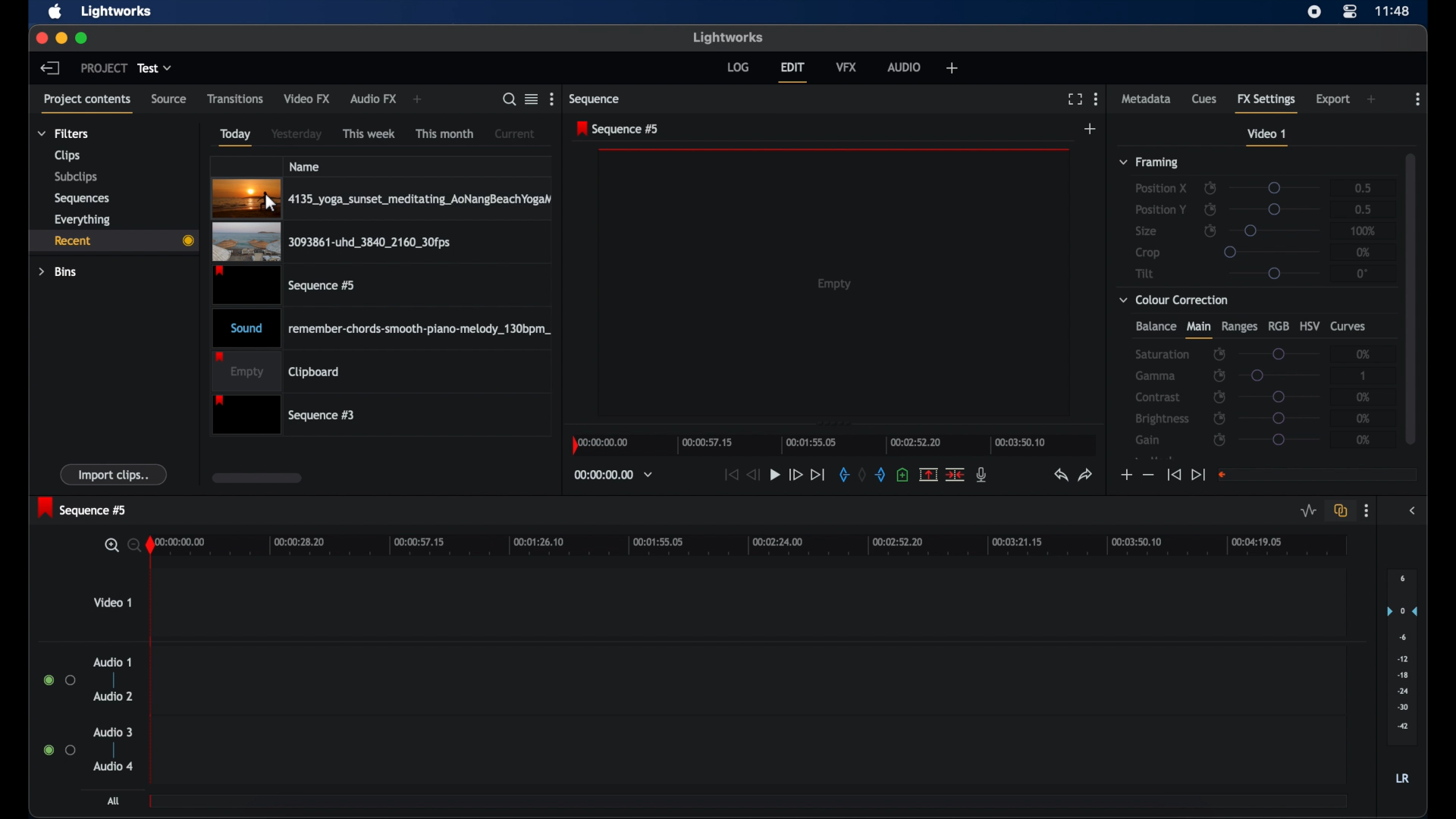 Image resolution: width=1456 pixels, height=819 pixels. What do you see at coordinates (515, 133) in the screenshot?
I see `current` at bounding box center [515, 133].